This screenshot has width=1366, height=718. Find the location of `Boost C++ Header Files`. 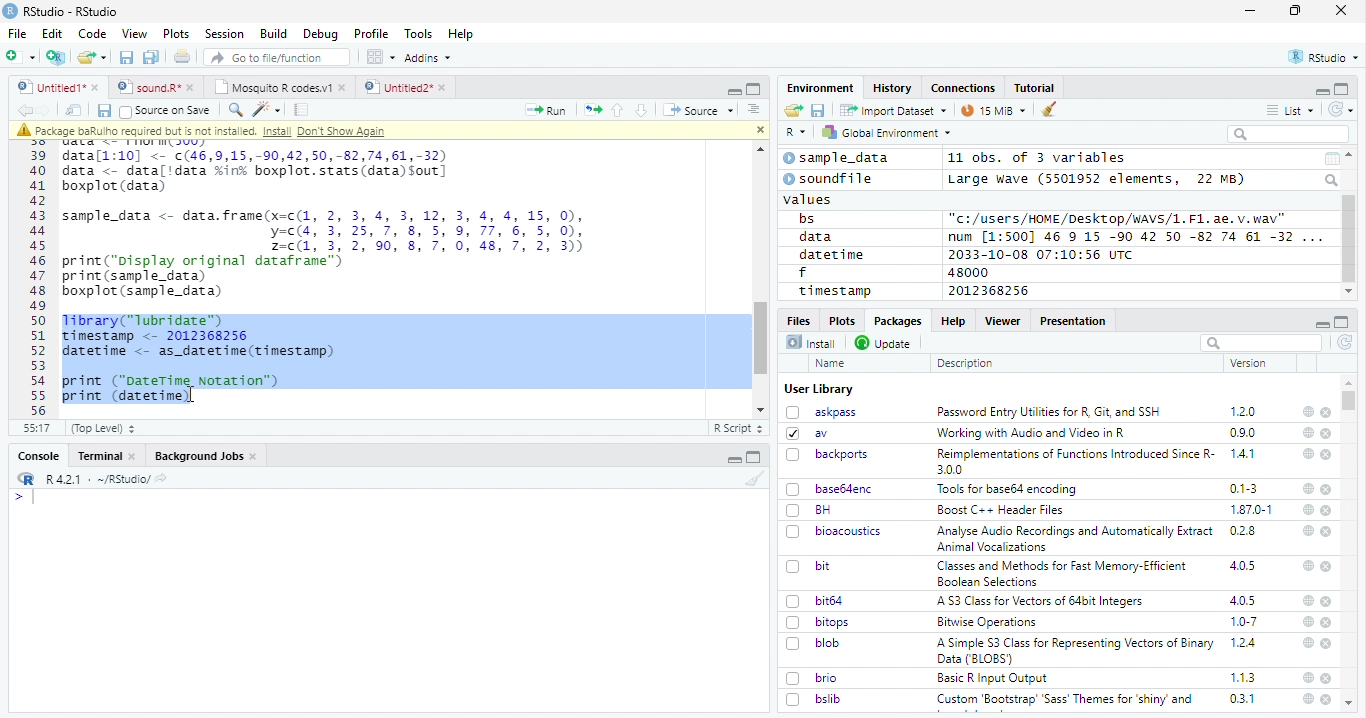

Boost C++ Header Files is located at coordinates (998, 511).